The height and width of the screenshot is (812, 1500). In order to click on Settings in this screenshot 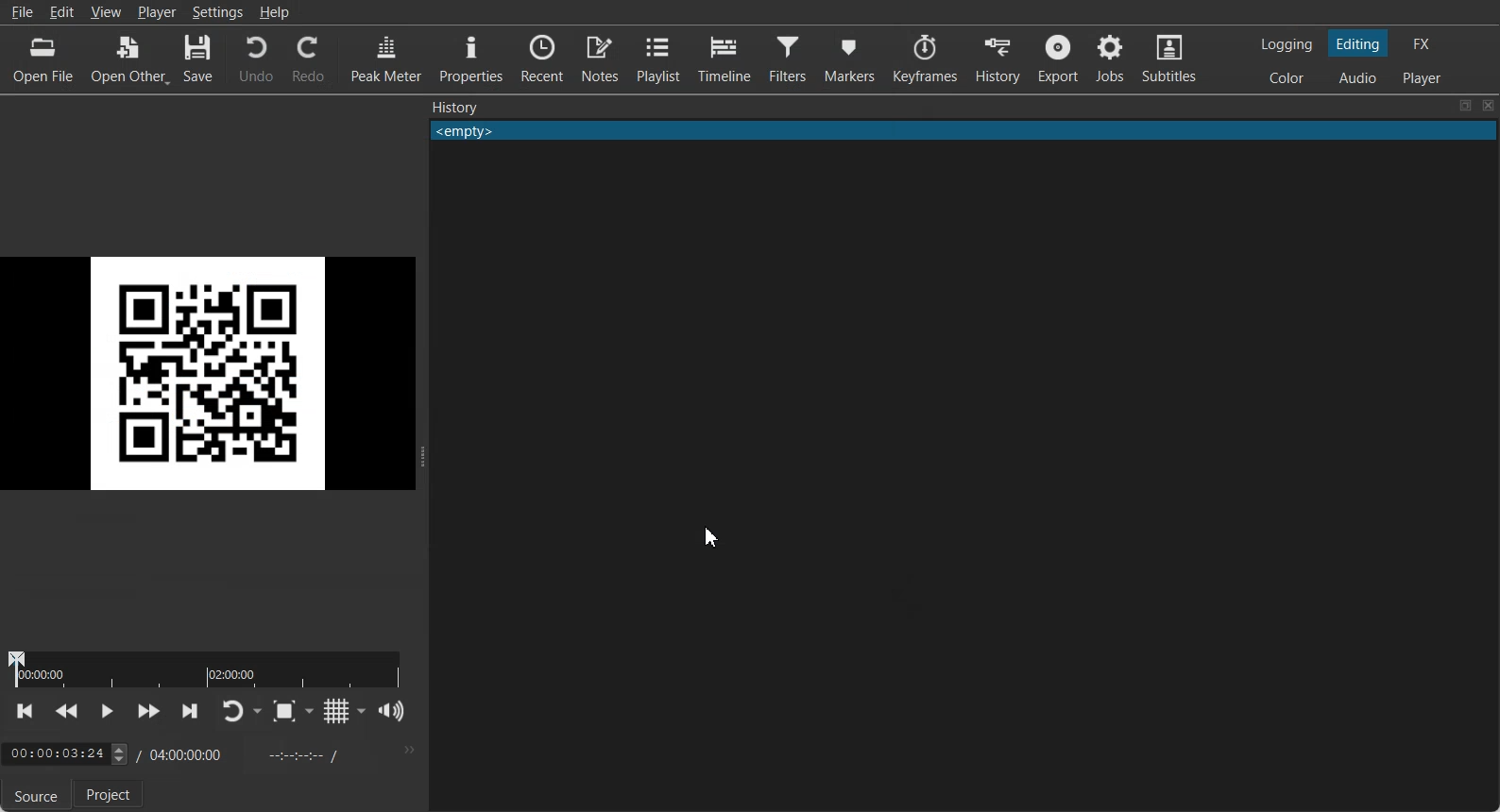, I will do `click(218, 12)`.